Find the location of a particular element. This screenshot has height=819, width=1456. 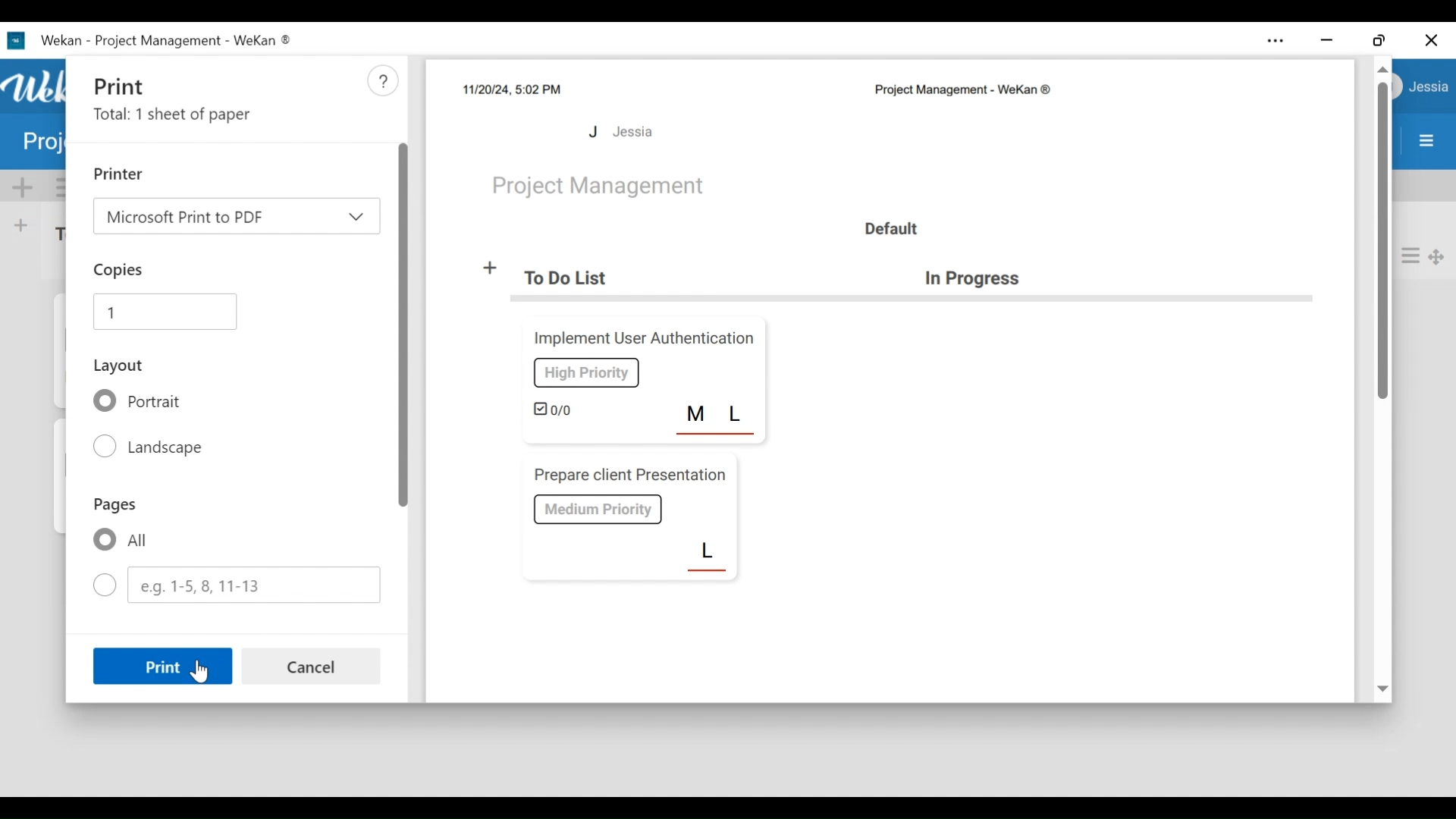

Board Title is located at coordinates (162, 39).